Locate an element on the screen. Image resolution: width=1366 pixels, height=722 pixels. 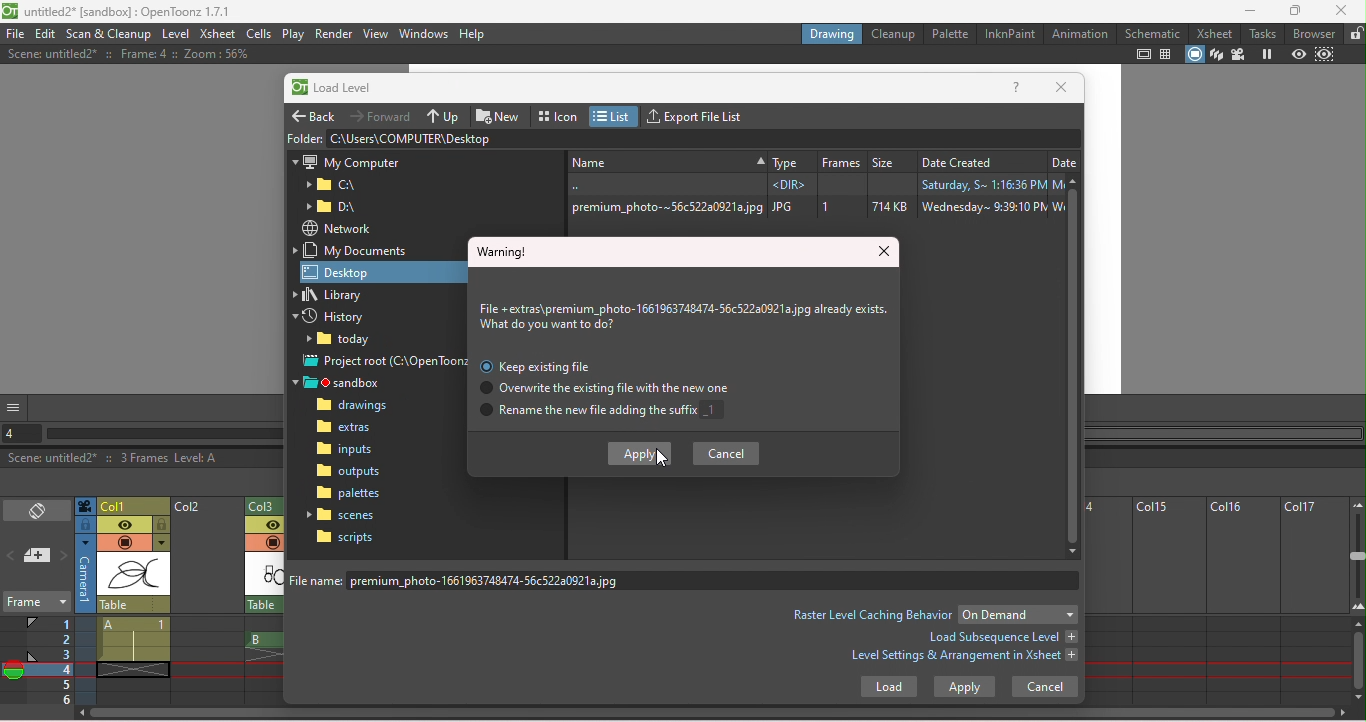
Folder is located at coordinates (337, 207).